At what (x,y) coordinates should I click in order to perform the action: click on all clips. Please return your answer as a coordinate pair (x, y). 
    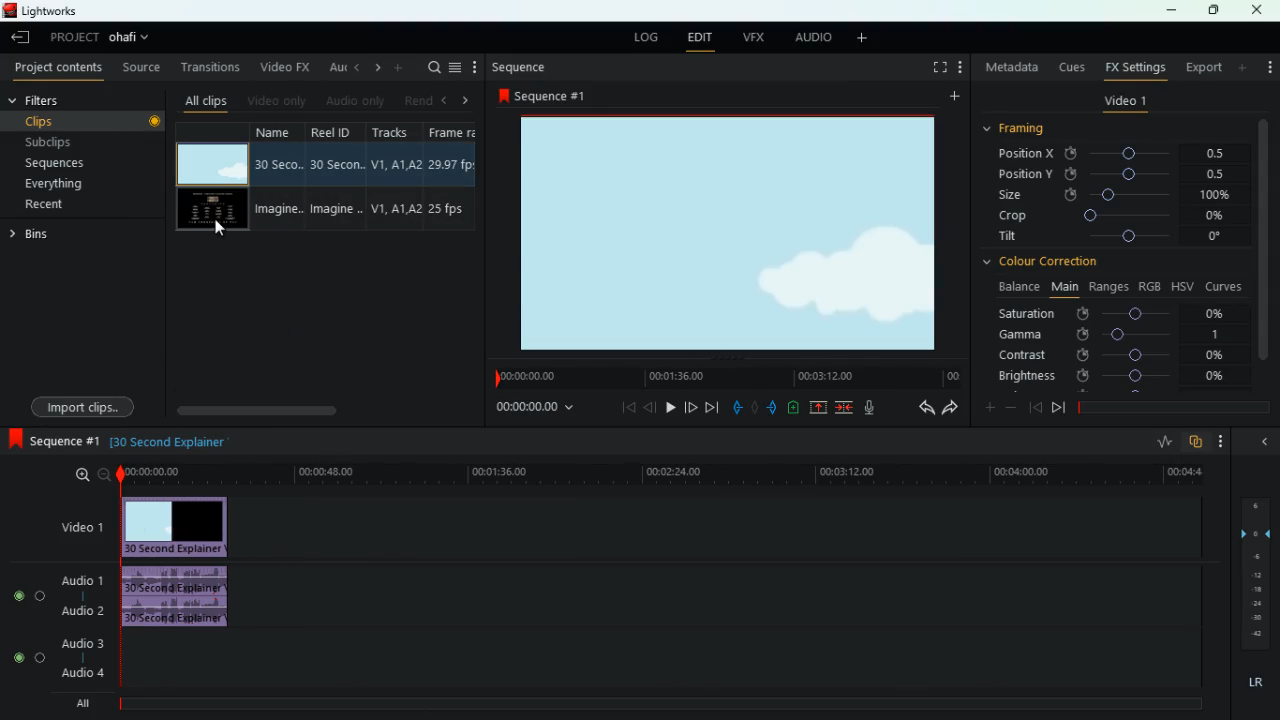
    Looking at the image, I should click on (206, 100).